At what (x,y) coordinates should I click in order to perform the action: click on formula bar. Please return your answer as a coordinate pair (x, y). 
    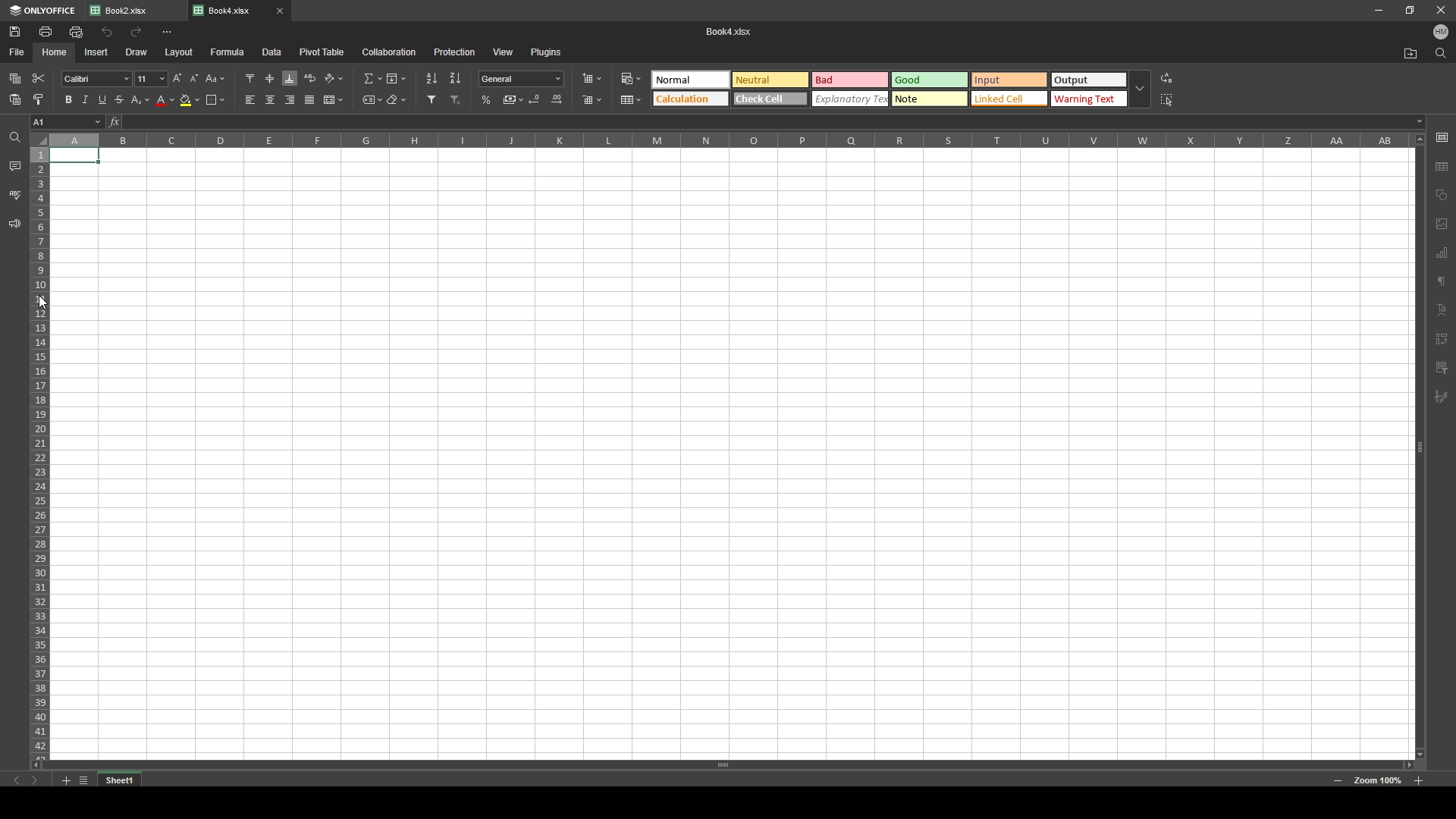
    Looking at the image, I should click on (767, 121).